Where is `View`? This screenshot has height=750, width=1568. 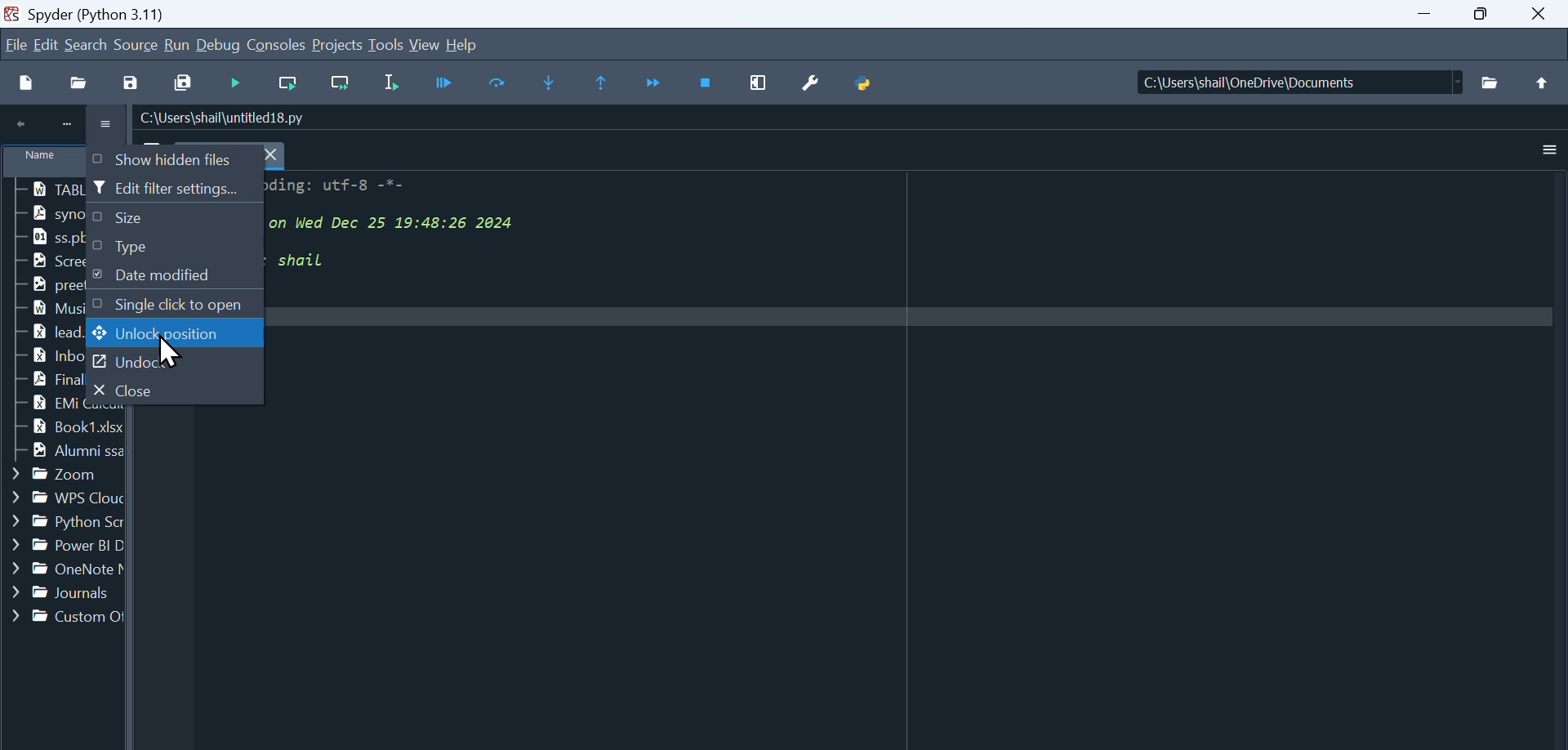
View is located at coordinates (425, 44).